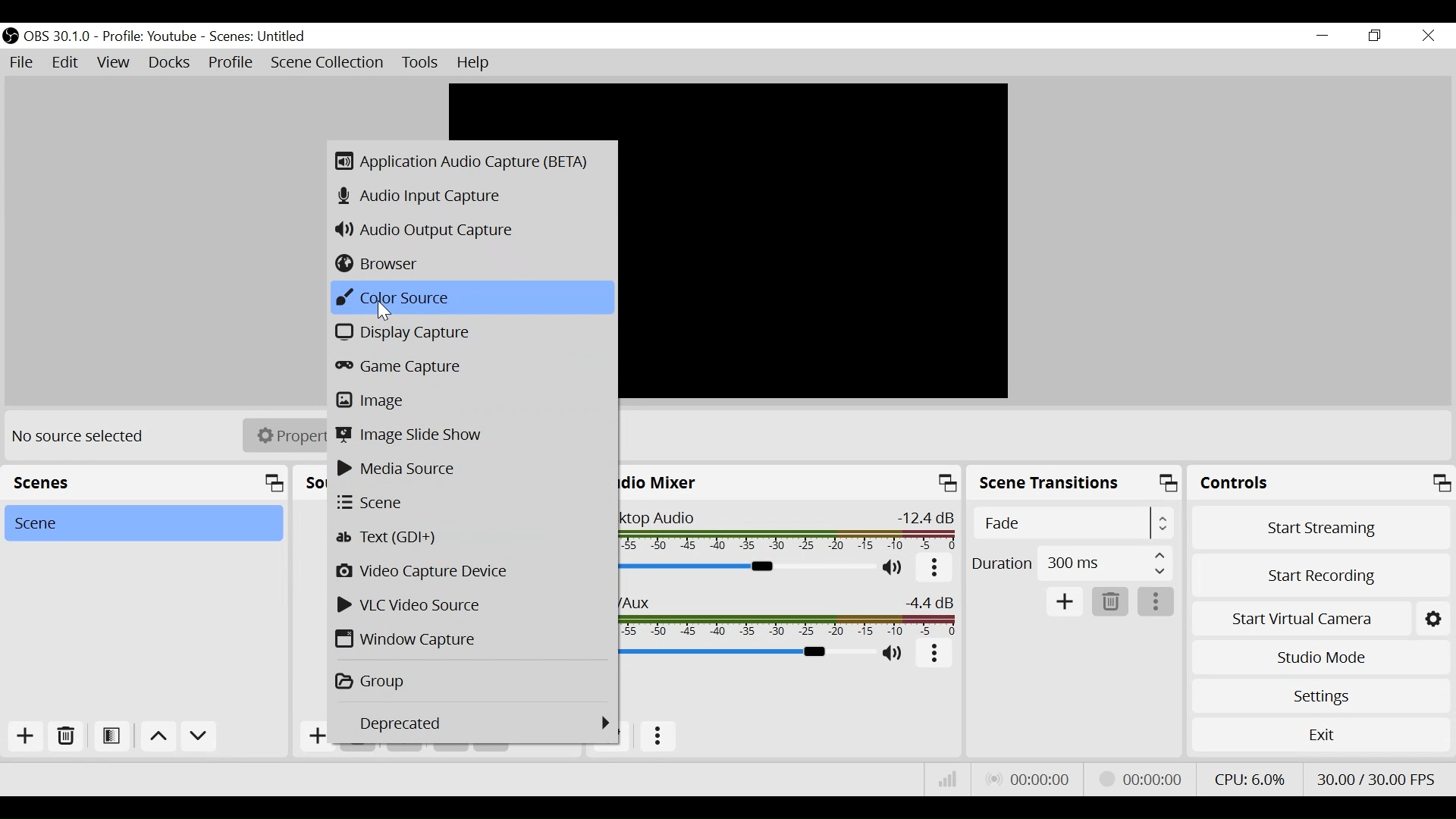 This screenshot has width=1456, height=819. I want to click on Settings, so click(1322, 696).